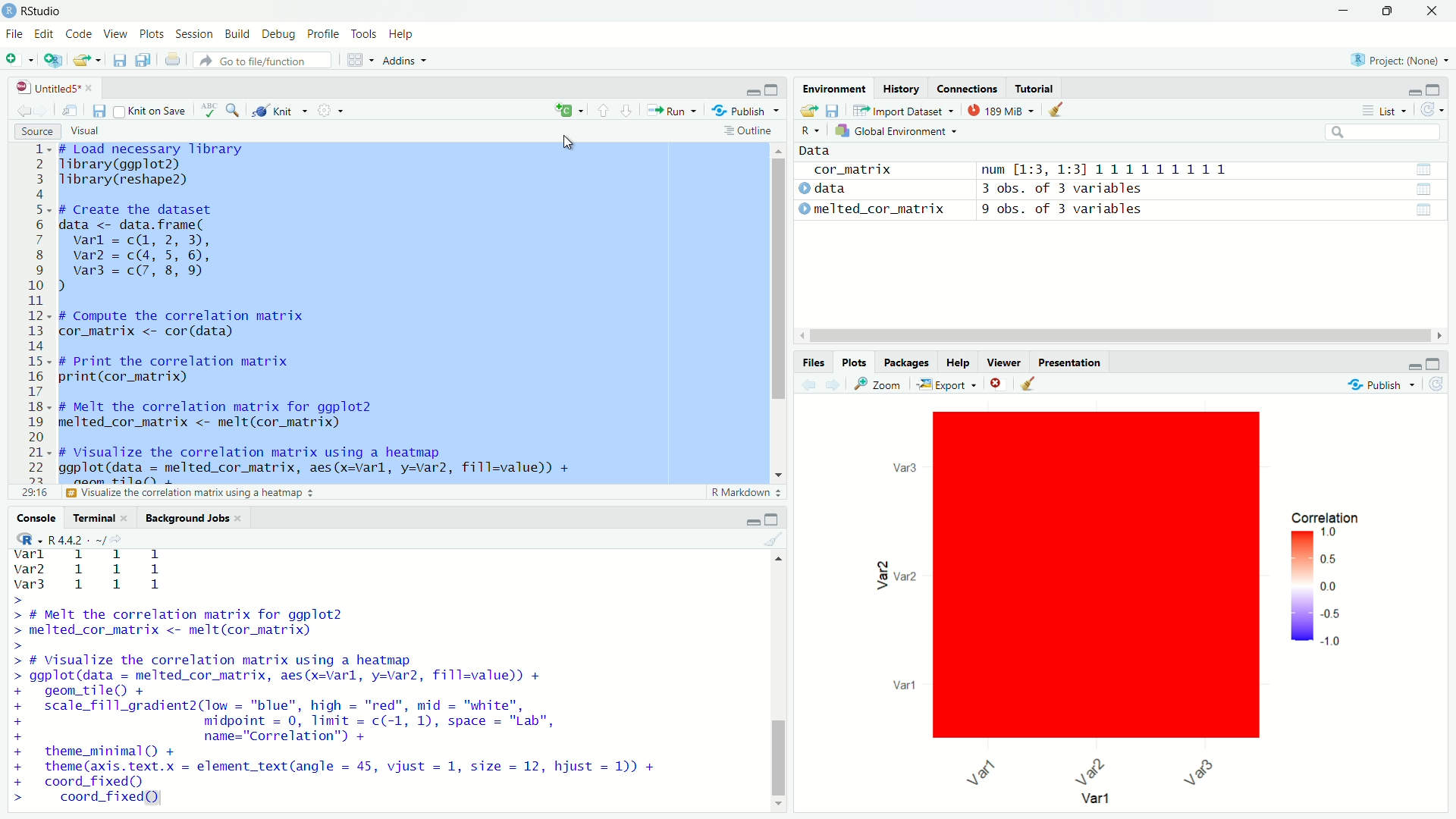 The image size is (1456, 819). Describe the element at coordinates (100, 111) in the screenshot. I see `save current document` at that location.